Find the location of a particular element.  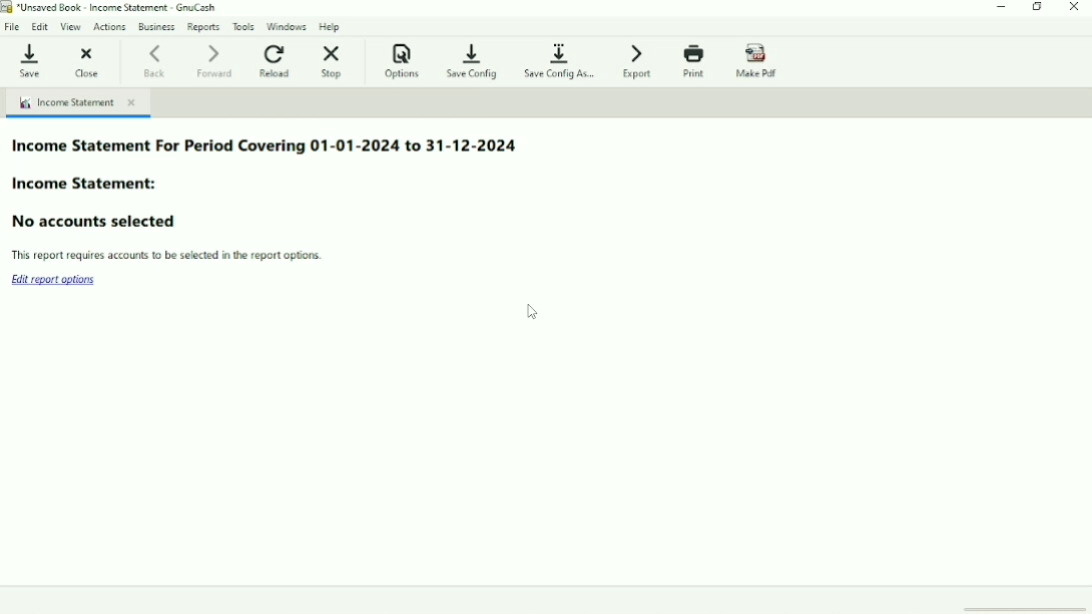

File is located at coordinates (13, 25).